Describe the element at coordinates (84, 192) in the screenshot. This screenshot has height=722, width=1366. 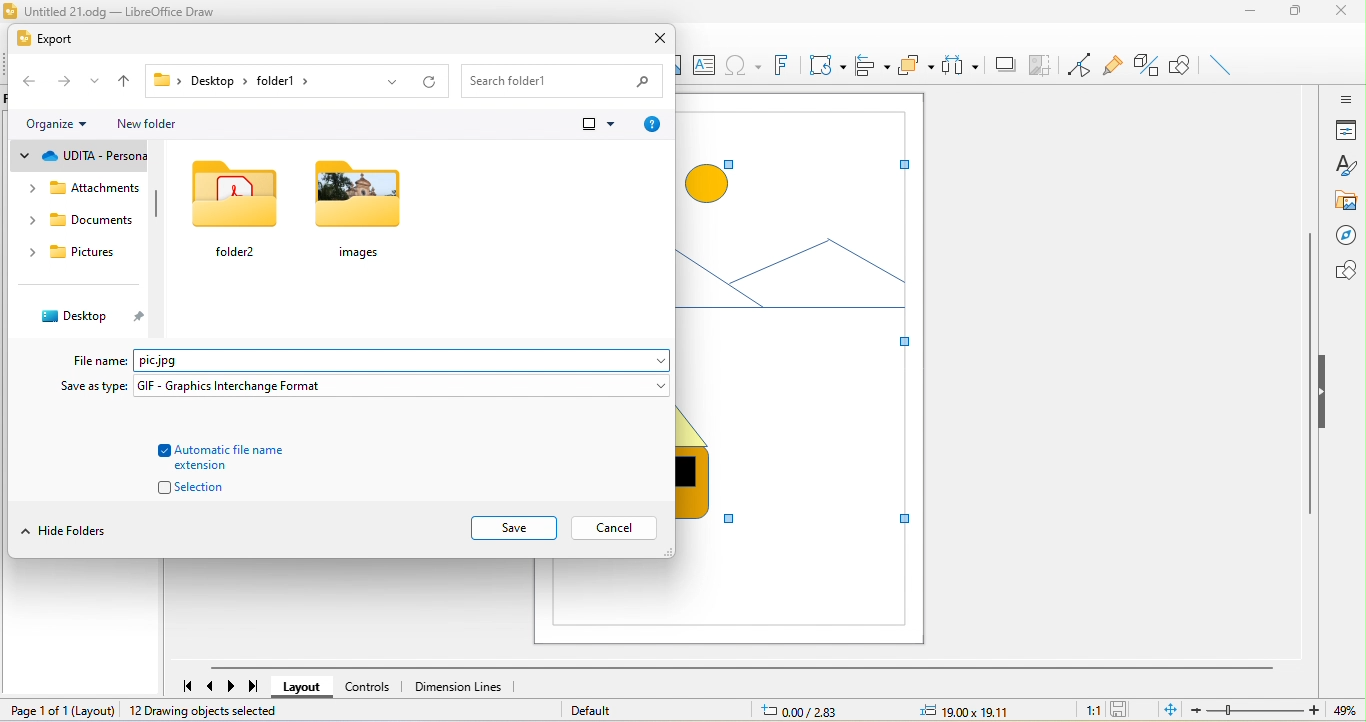
I see ` Attachments` at that location.